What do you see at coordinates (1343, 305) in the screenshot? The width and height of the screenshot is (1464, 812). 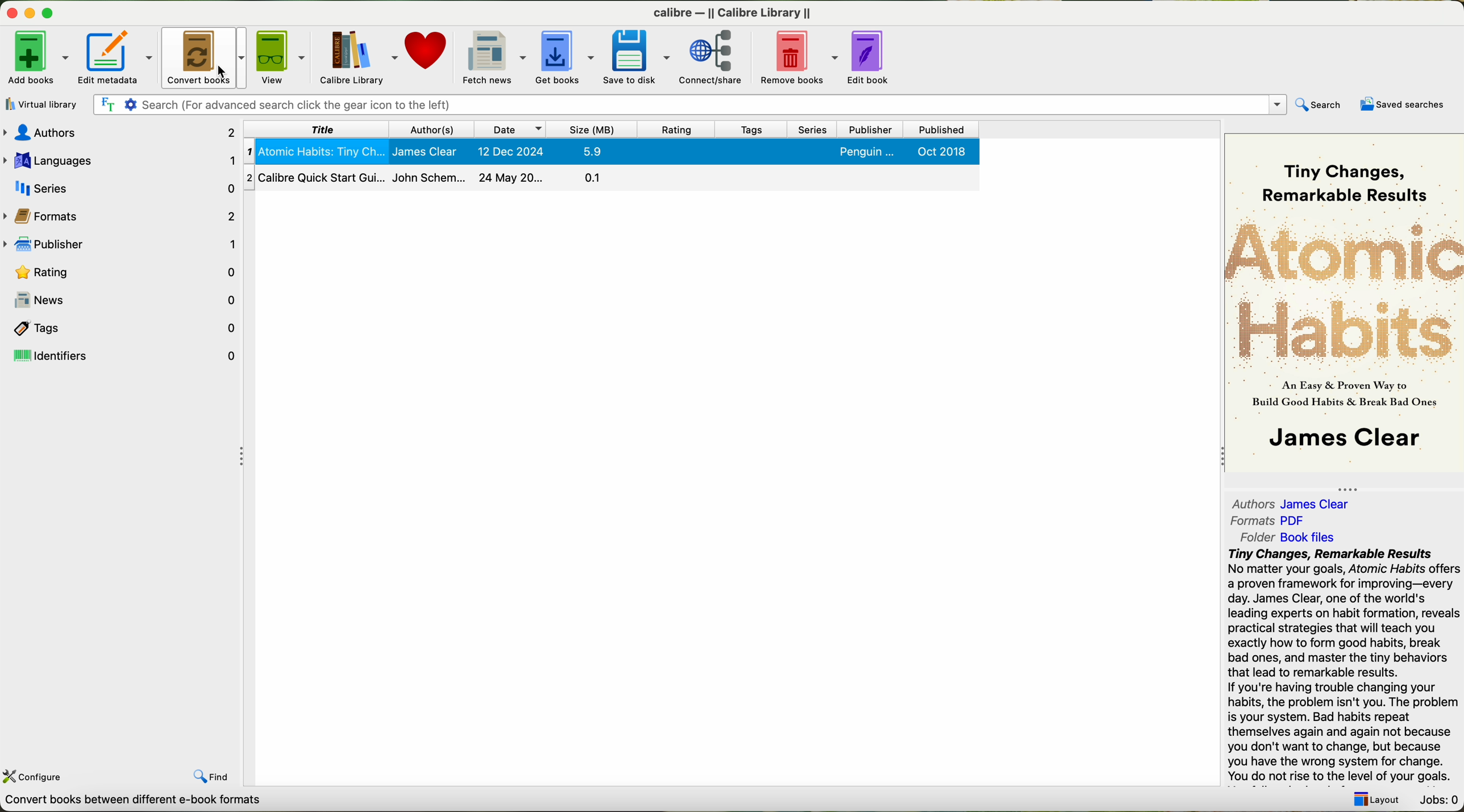 I see `book cover preview` at bounding box center [1343, 305].